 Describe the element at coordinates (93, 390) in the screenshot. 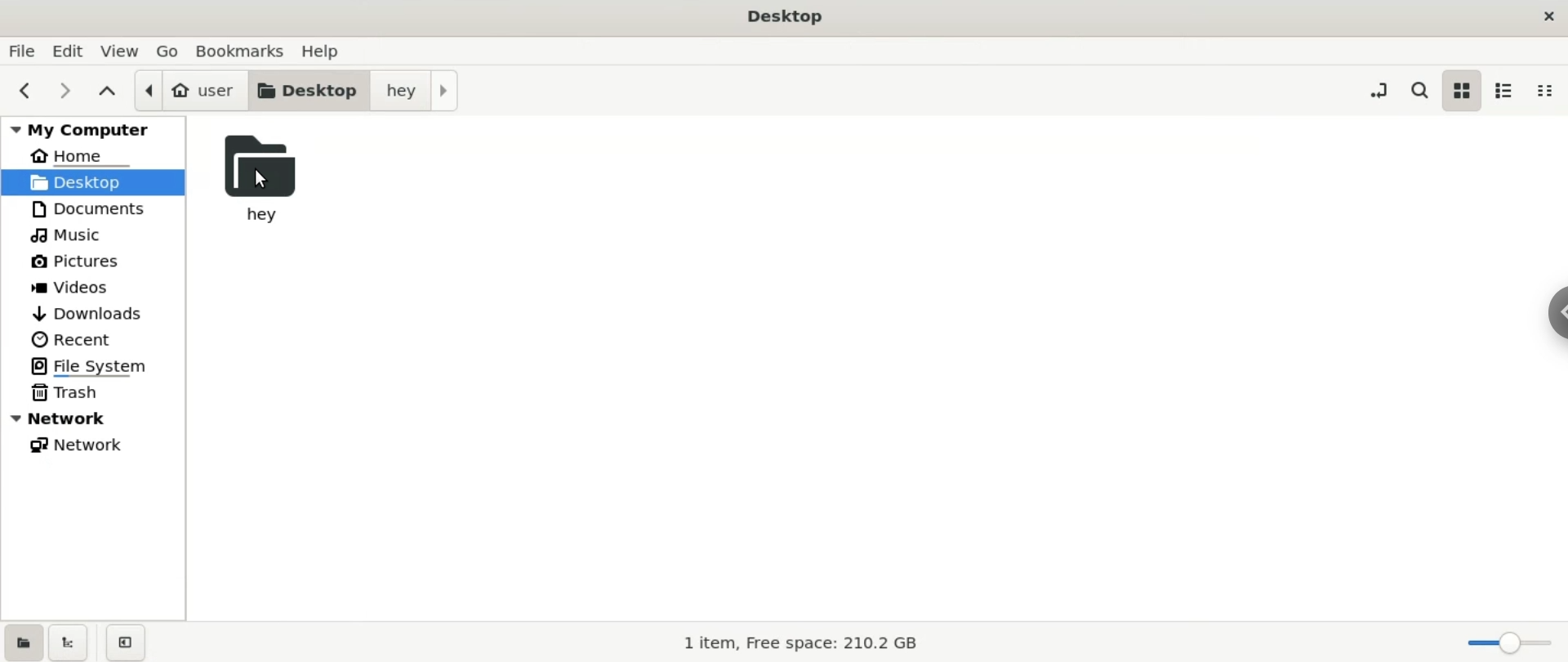

I see `trash` at that location.